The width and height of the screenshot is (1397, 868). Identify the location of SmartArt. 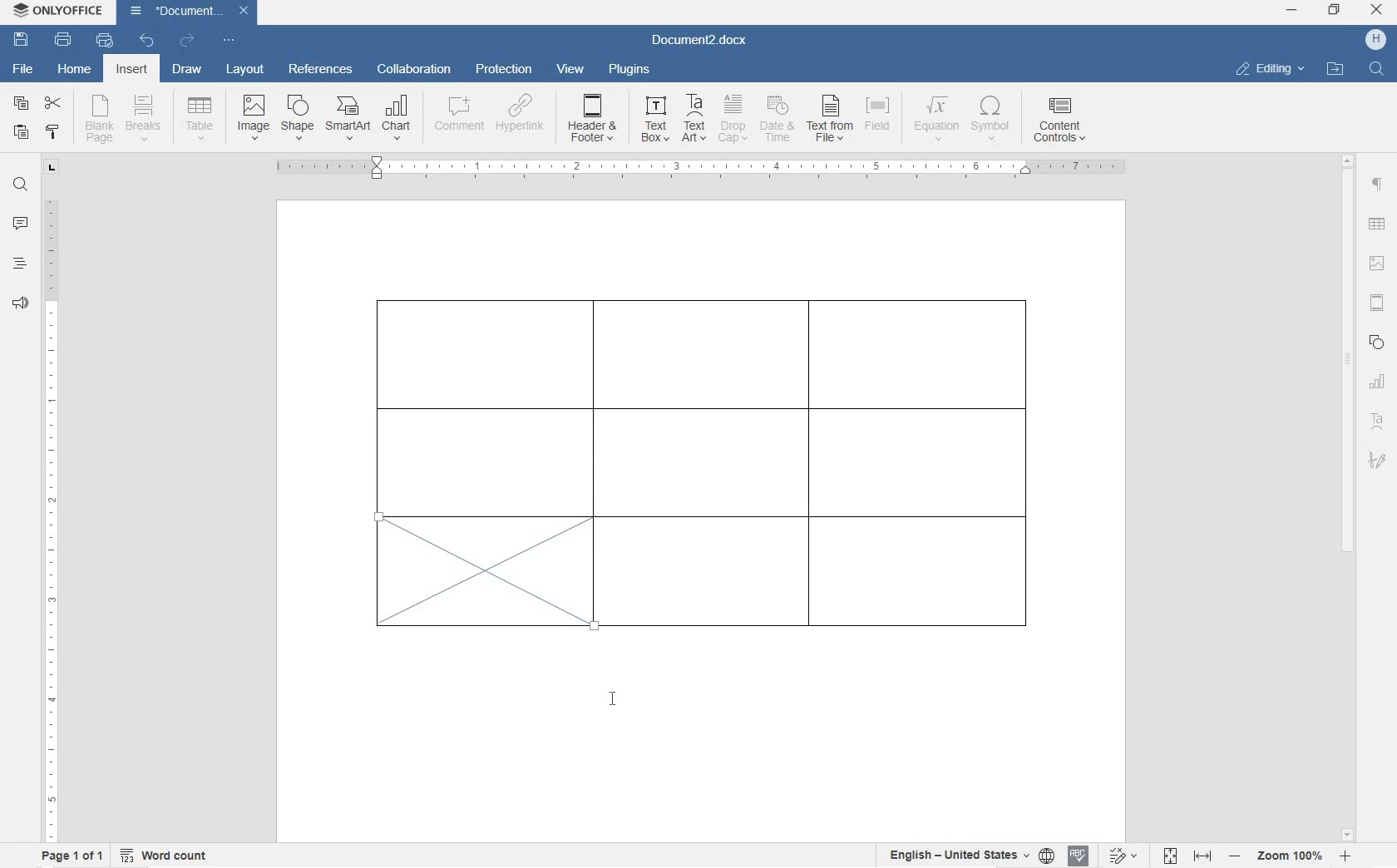
(348, 118).